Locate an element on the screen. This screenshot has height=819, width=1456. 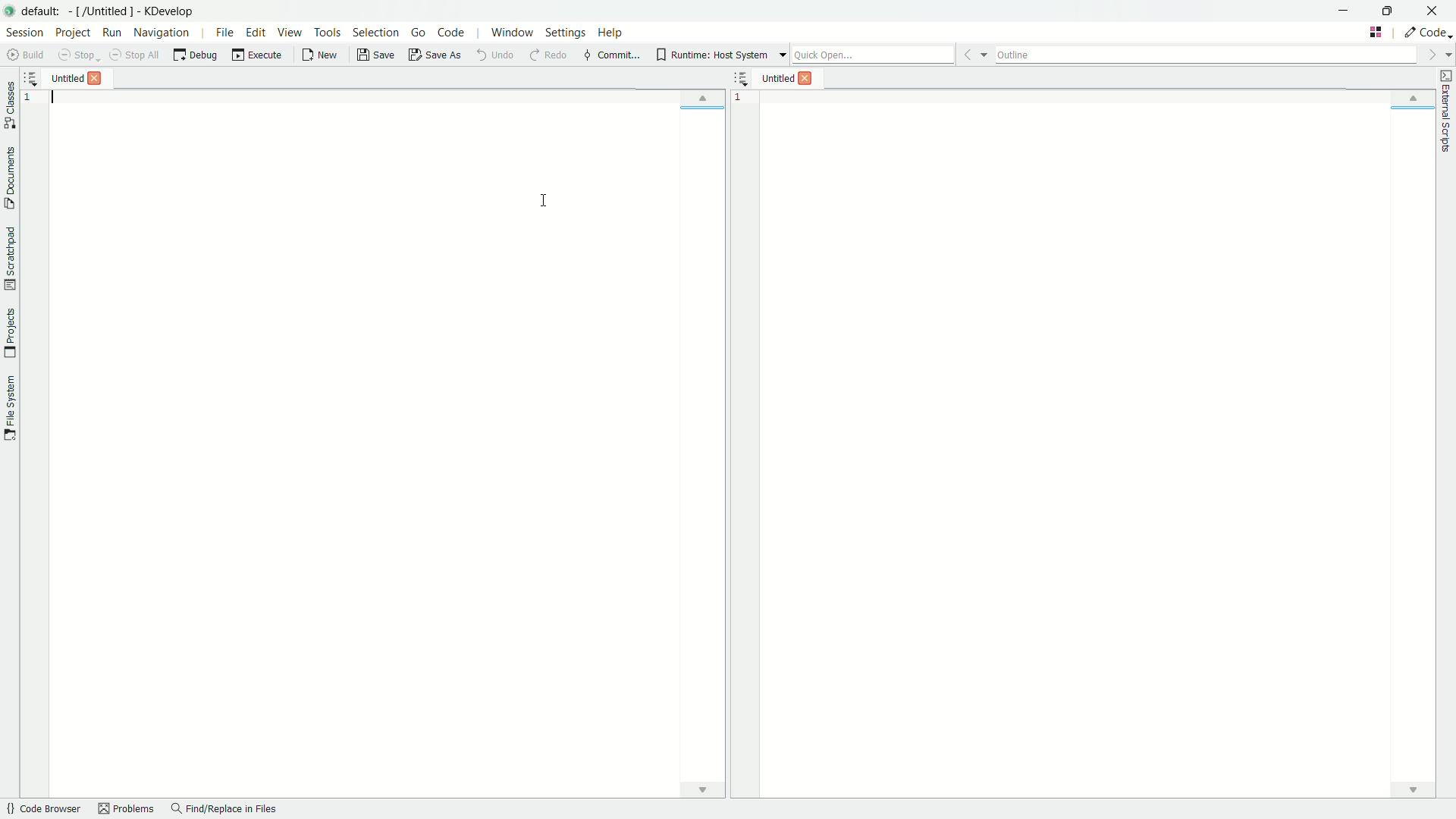
code menu is located at coordinates (451, 33).